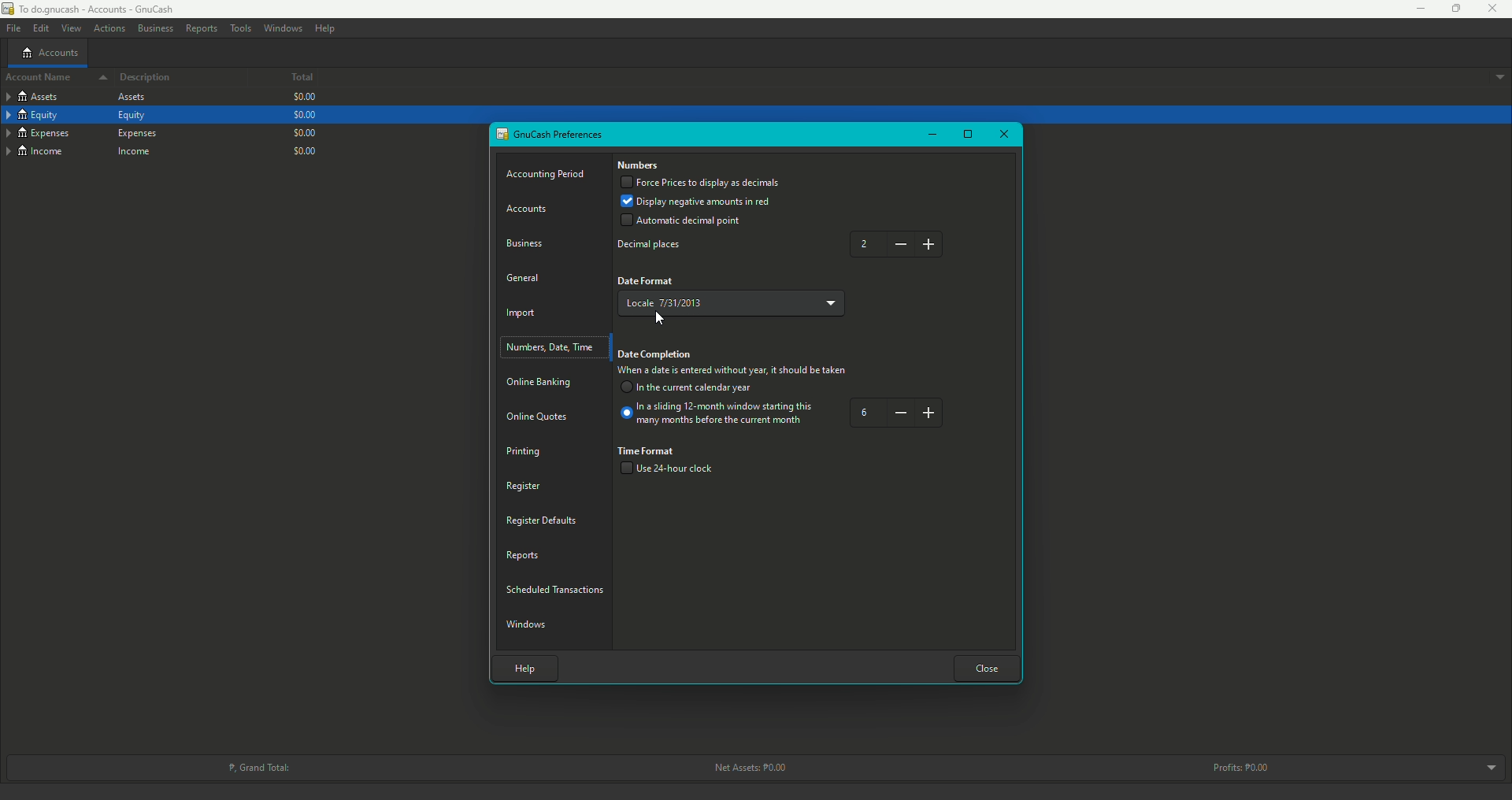 The height and width of the screenshot is (800, 1512). I want to click on Edit, so click(39, 28).